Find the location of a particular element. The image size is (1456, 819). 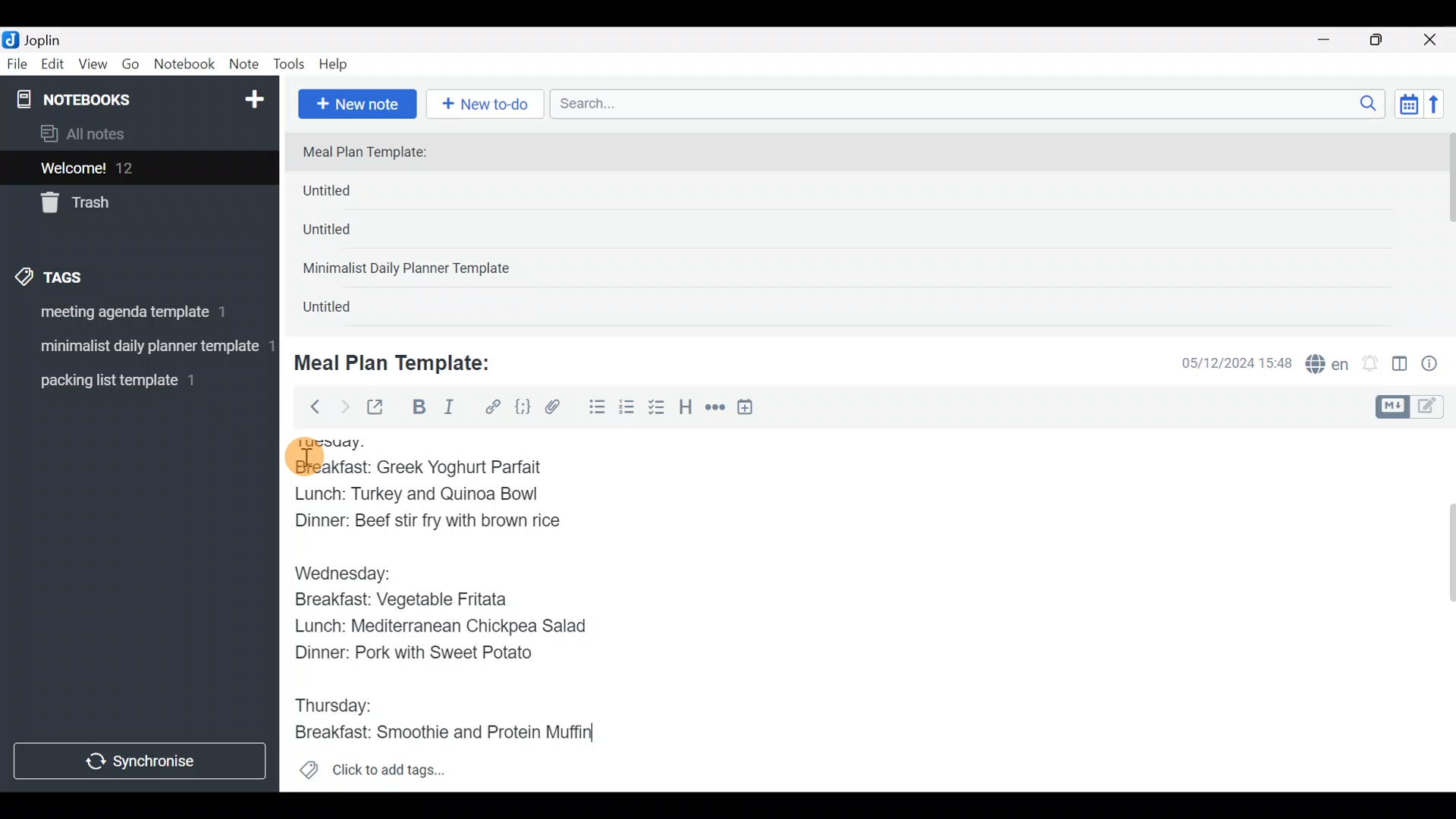

Toggle editor layout is located at coordinates (1401, 366).